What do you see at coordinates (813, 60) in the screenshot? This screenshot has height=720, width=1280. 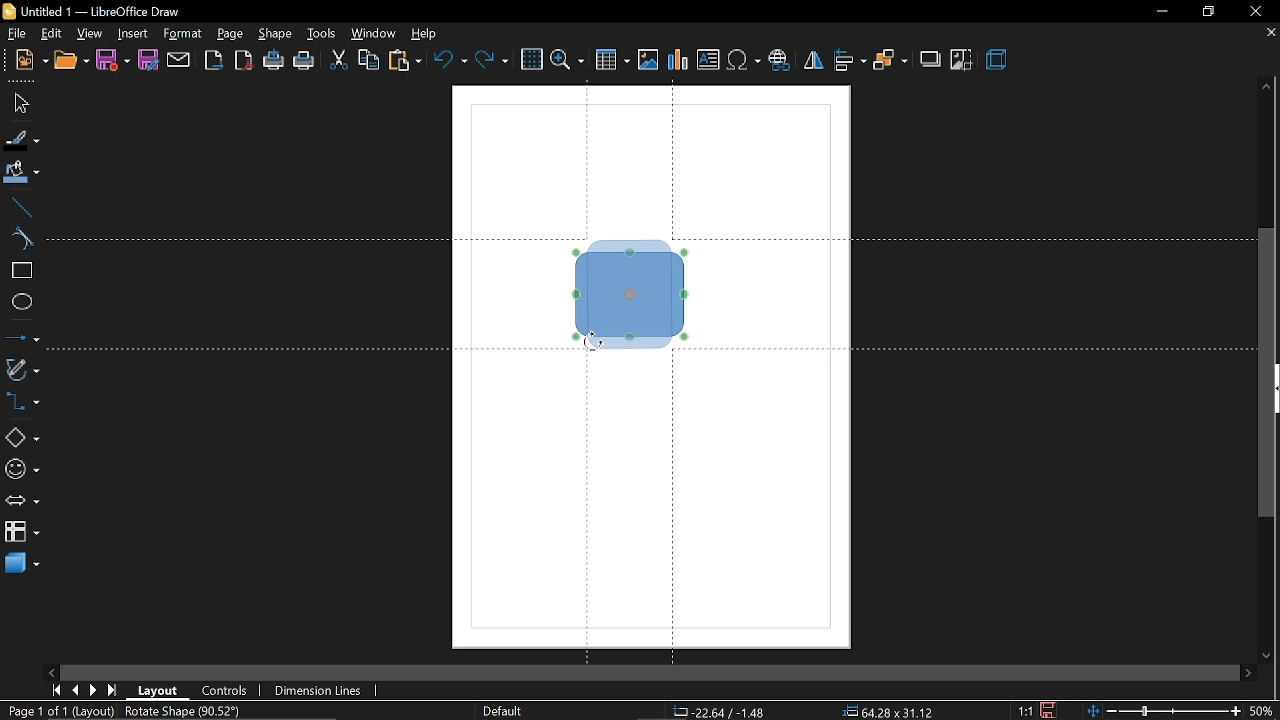 I see `flip` at bounding box center [813, 60].